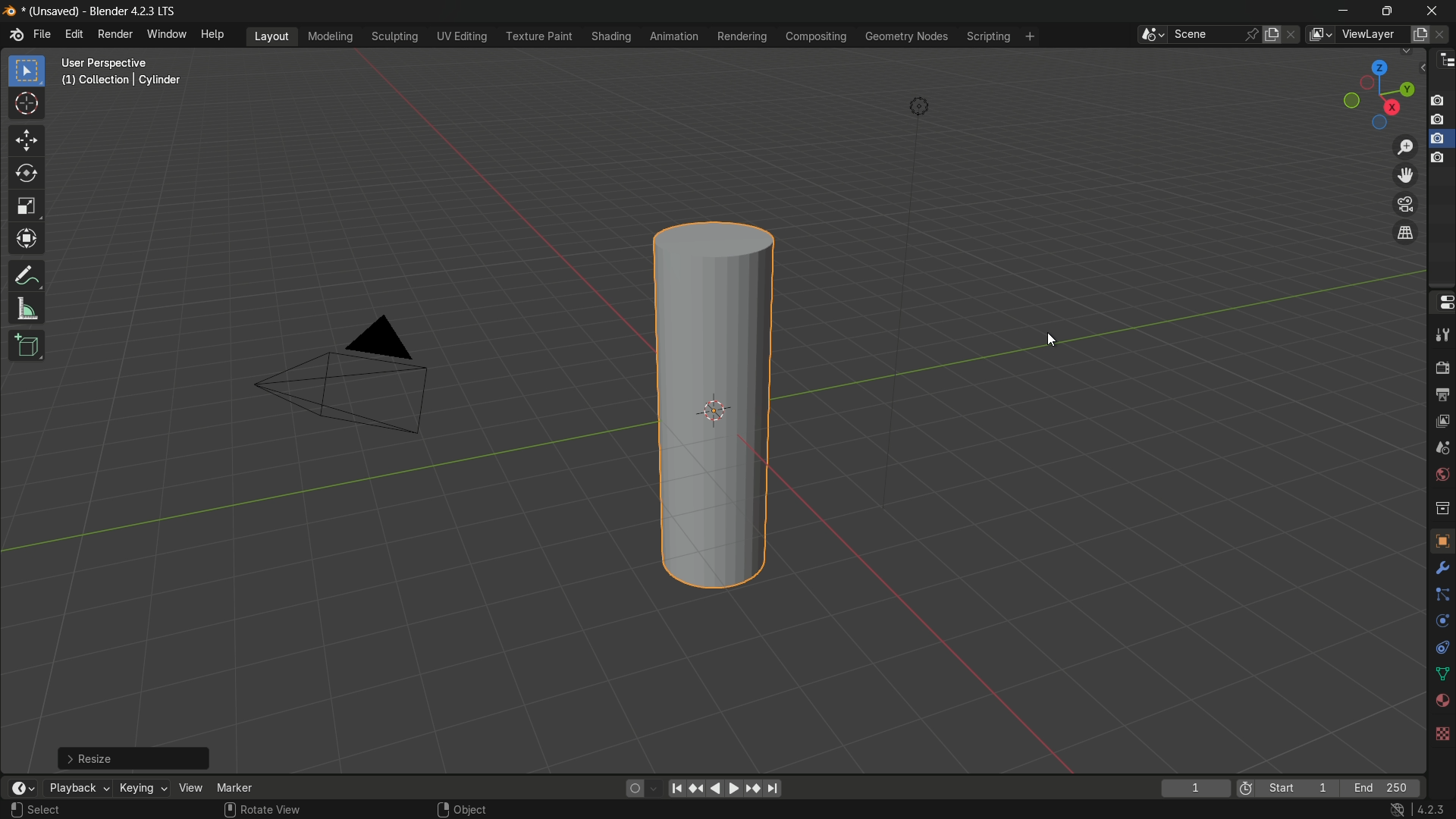  What do you see at coordinates (1150, 35) in the screenshot?
I see `browse scenes` at bounding box center [1150, 35].